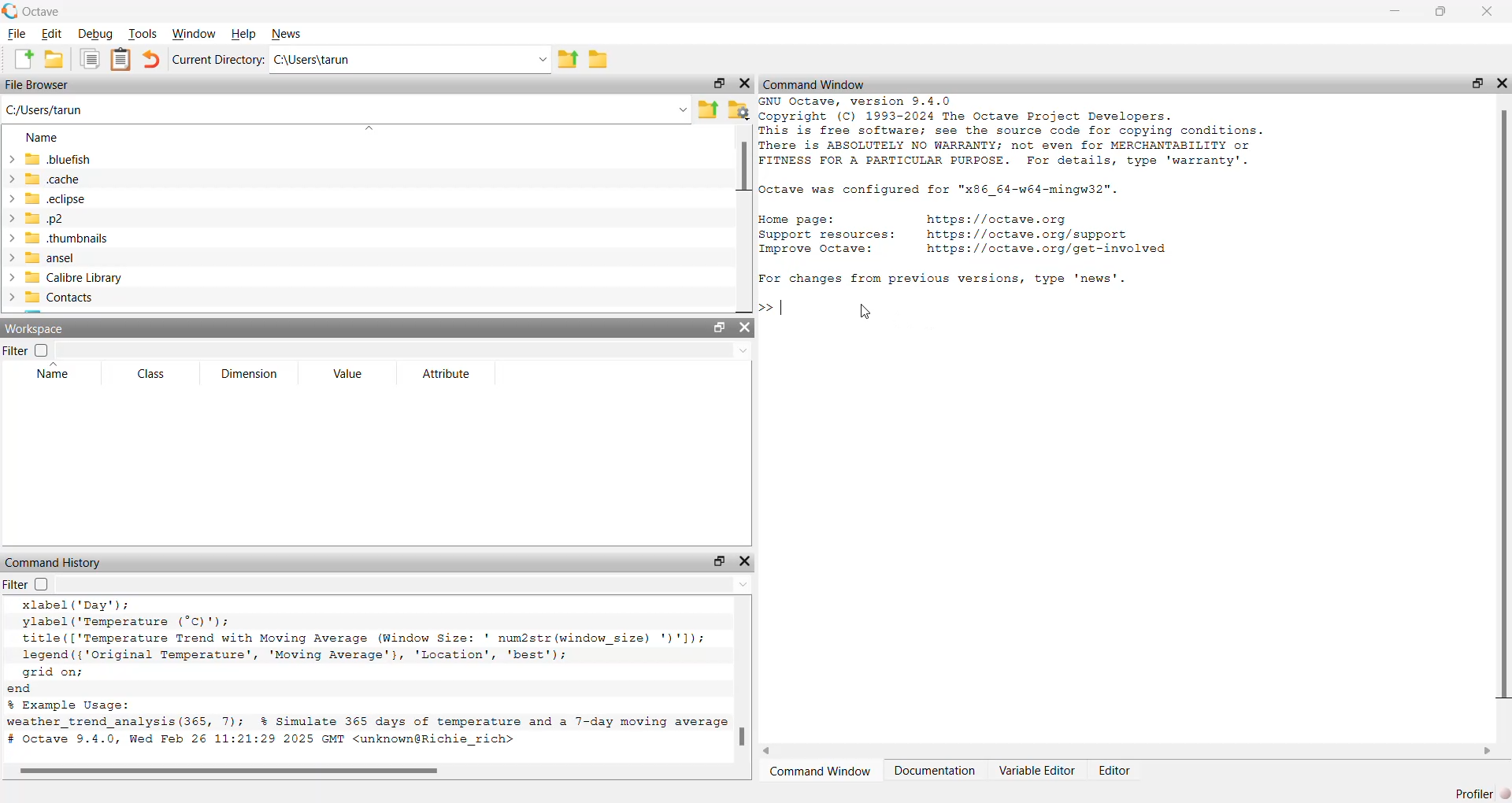 The width and height of the screenshot is (1512, 803). Describe the element at coordinates (90, 59) in the screenshot. I see `copy` at that location.